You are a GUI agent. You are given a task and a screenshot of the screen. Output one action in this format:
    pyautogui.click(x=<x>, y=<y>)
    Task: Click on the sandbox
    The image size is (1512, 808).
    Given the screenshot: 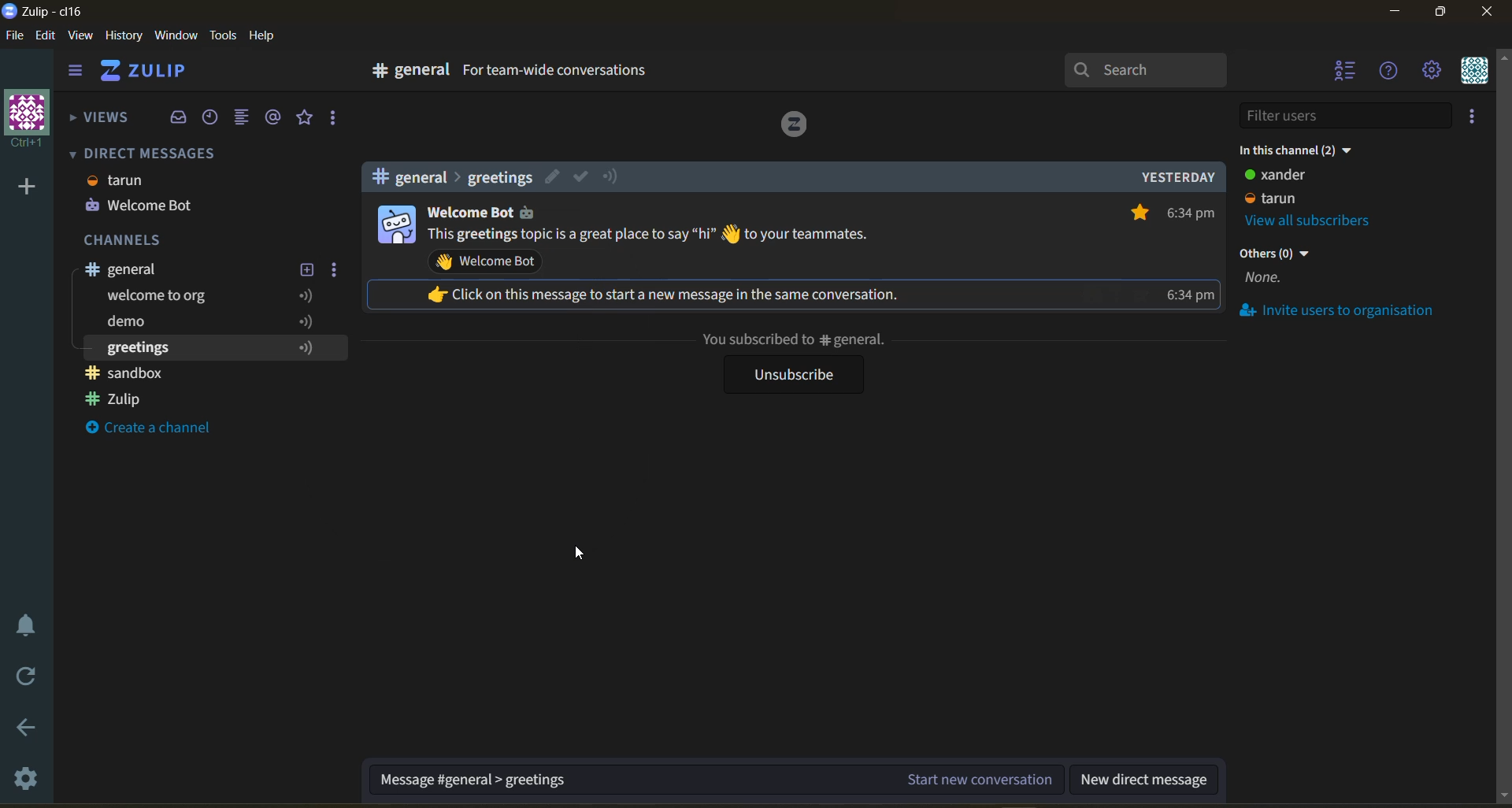 What is the action you would take?
    pyautogui.click(x=132, y=372)
    